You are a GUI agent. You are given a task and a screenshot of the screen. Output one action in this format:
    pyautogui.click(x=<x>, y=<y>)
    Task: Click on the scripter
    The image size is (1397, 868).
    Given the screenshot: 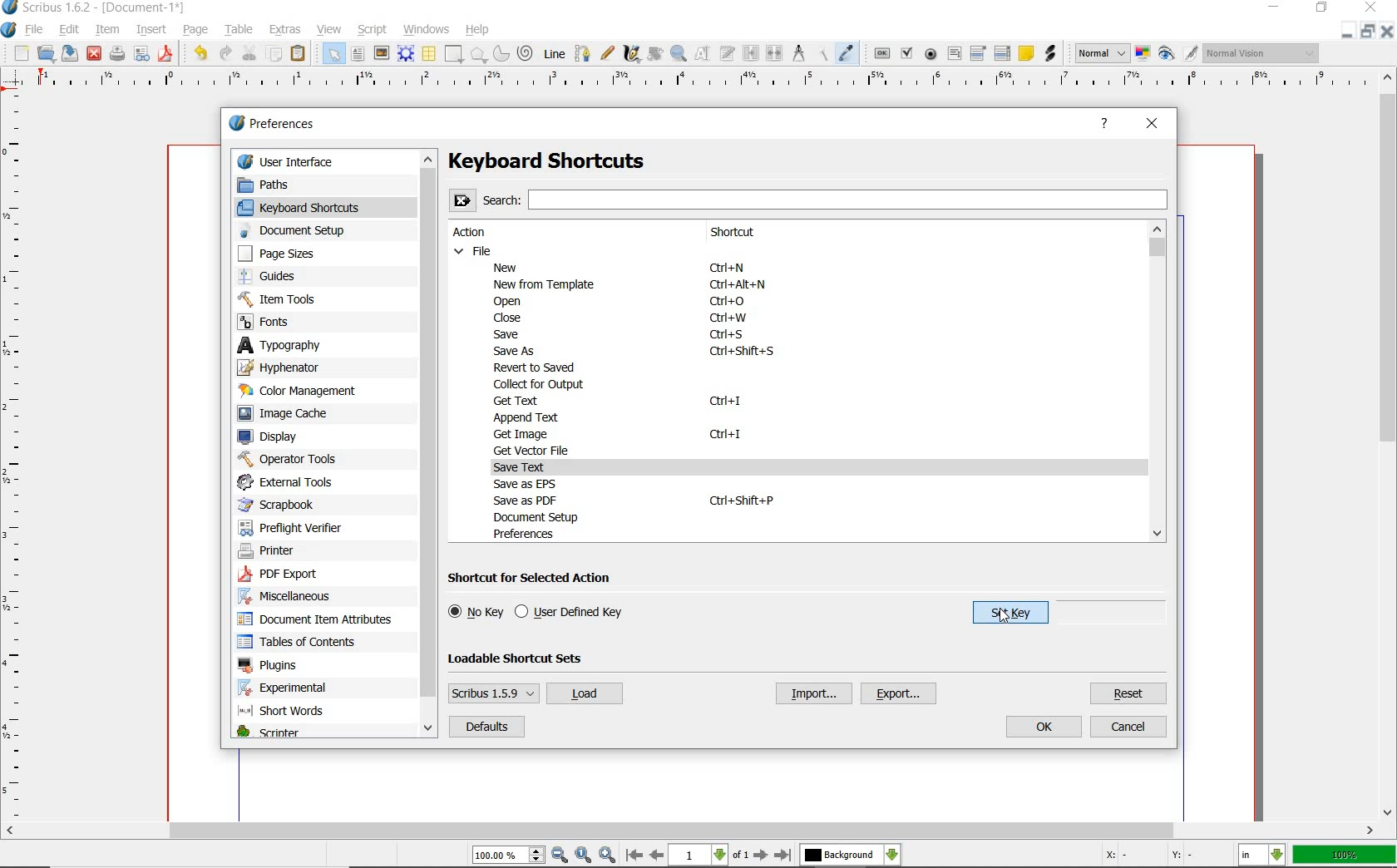 What is the action you would take?
    pyautogui.click(x=268, y=733)
    